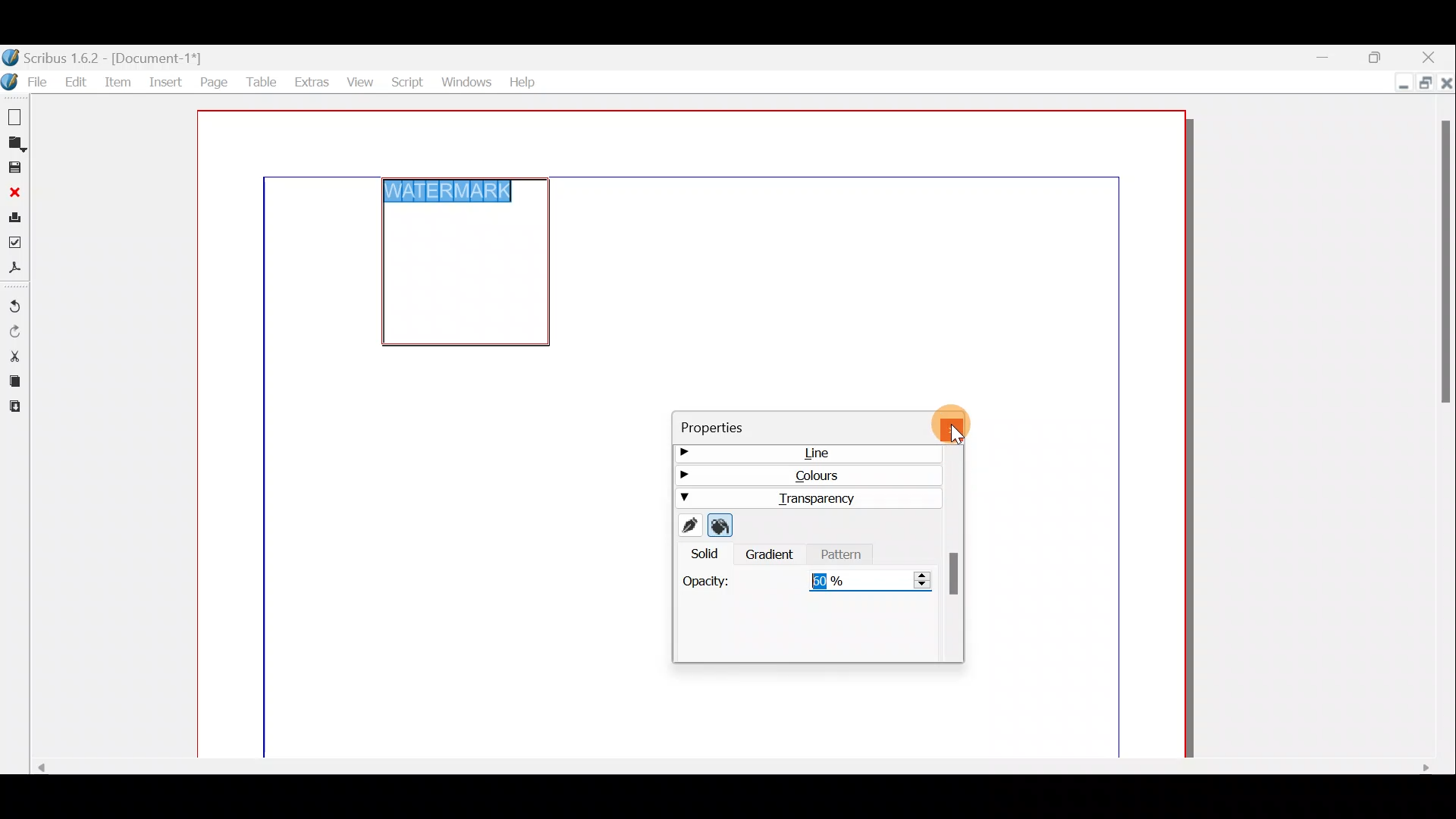 The image size is (1456, 819). What do you see at coordinates (13, 409) in the screenshot?
I see `Paste` at bounding box center [13, 409].